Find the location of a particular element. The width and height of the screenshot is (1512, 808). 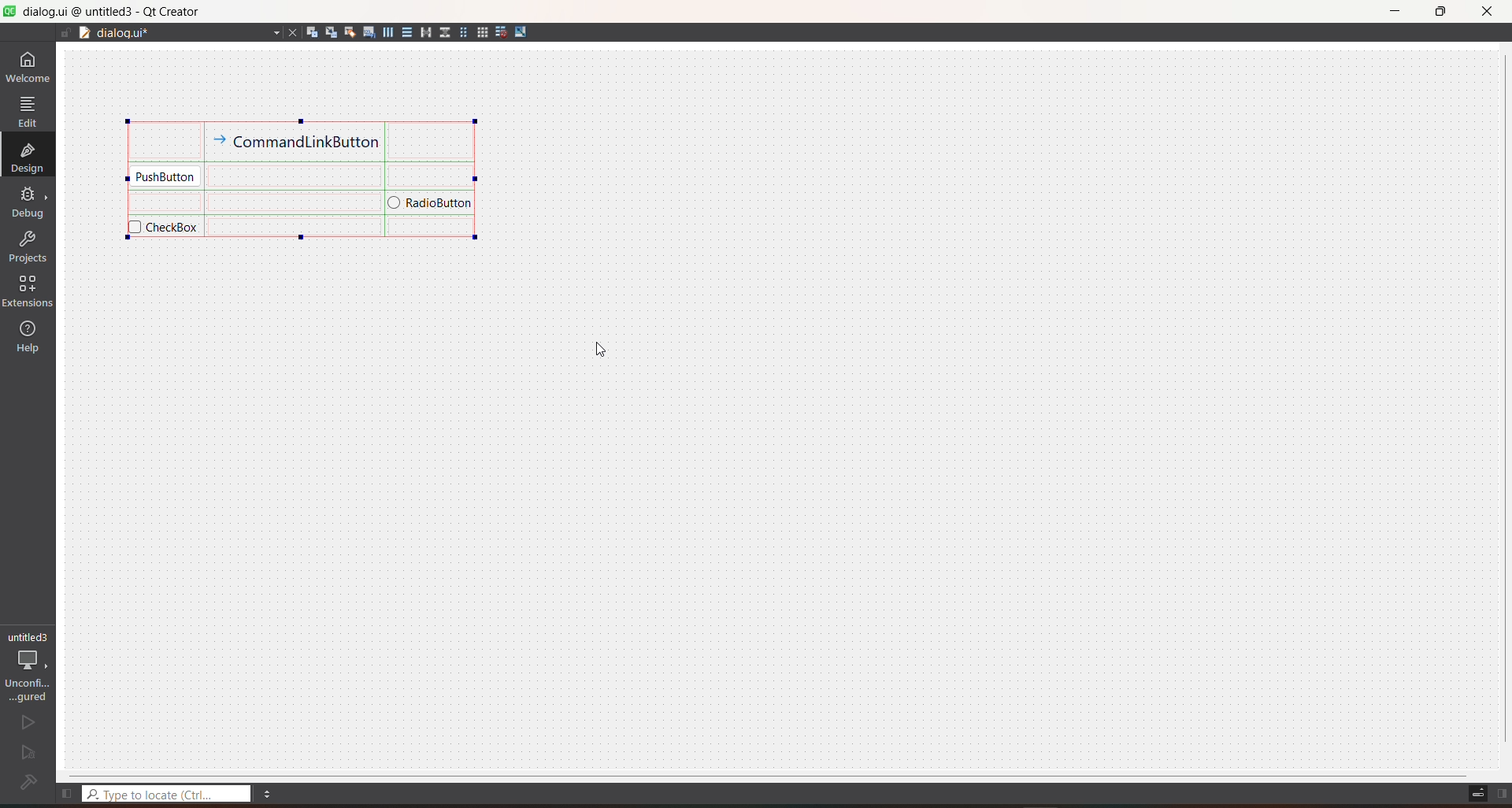

file is editable is located at coordinates (63, 33).